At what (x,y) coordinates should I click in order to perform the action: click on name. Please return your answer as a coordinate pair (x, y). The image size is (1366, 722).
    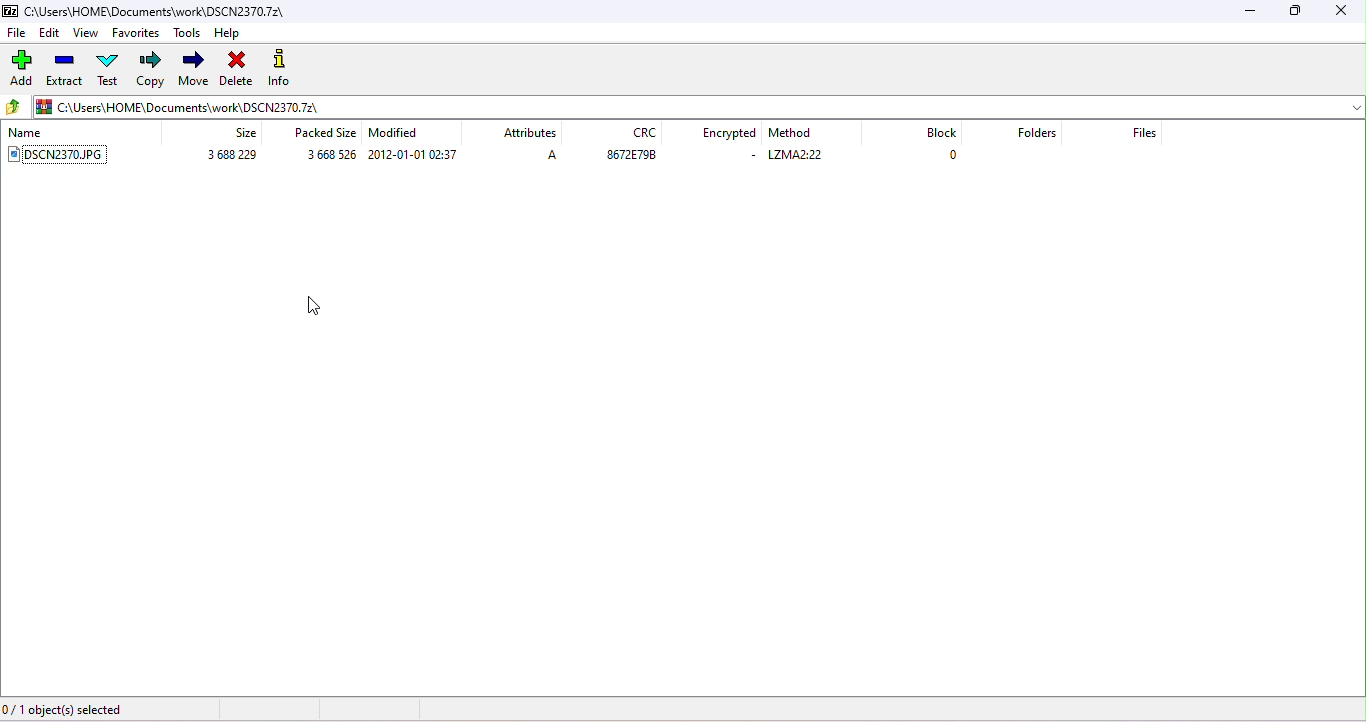
    Looking at the image, I should click on (38, 132).